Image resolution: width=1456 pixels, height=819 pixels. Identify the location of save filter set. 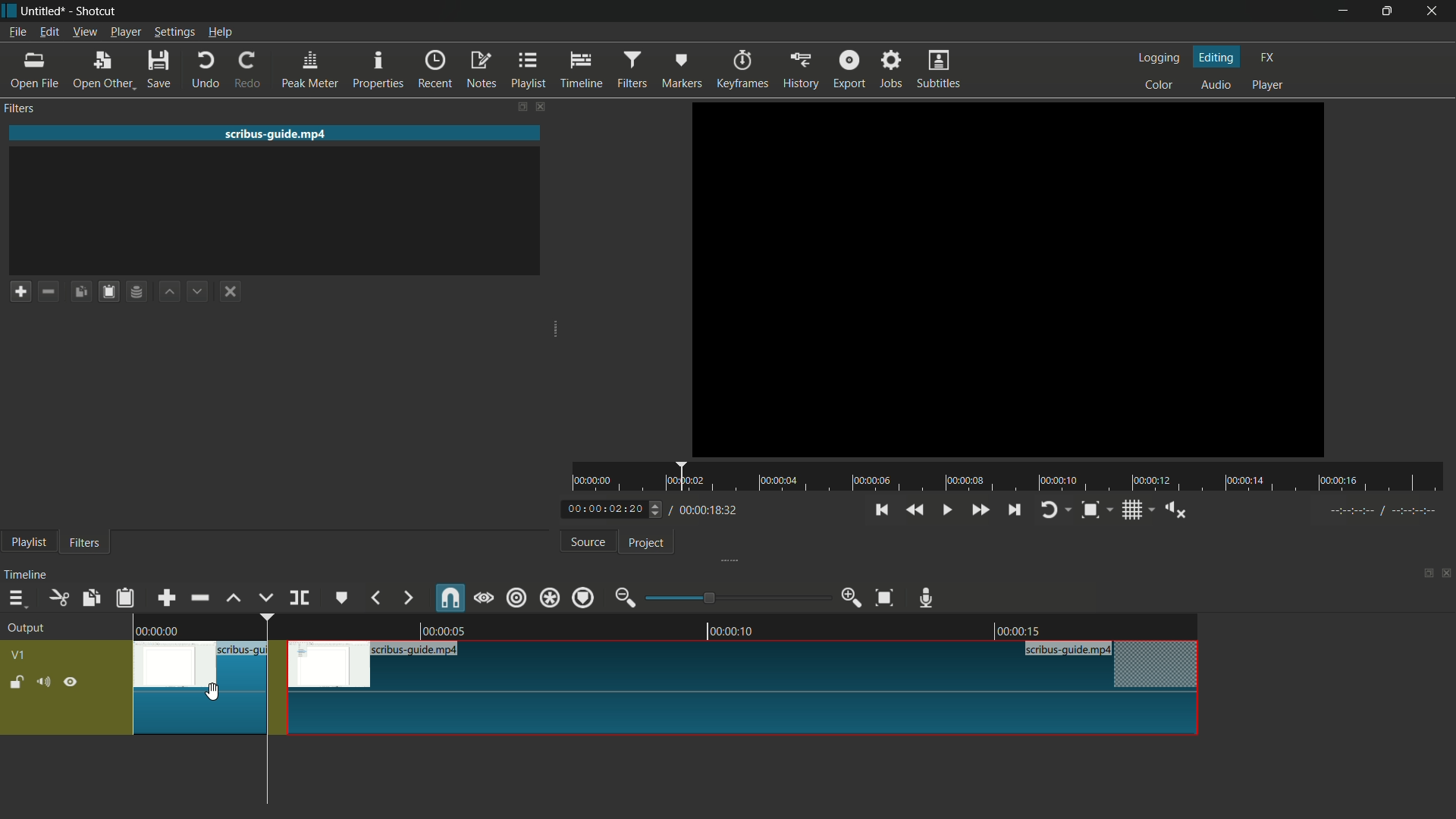
(137, 293).